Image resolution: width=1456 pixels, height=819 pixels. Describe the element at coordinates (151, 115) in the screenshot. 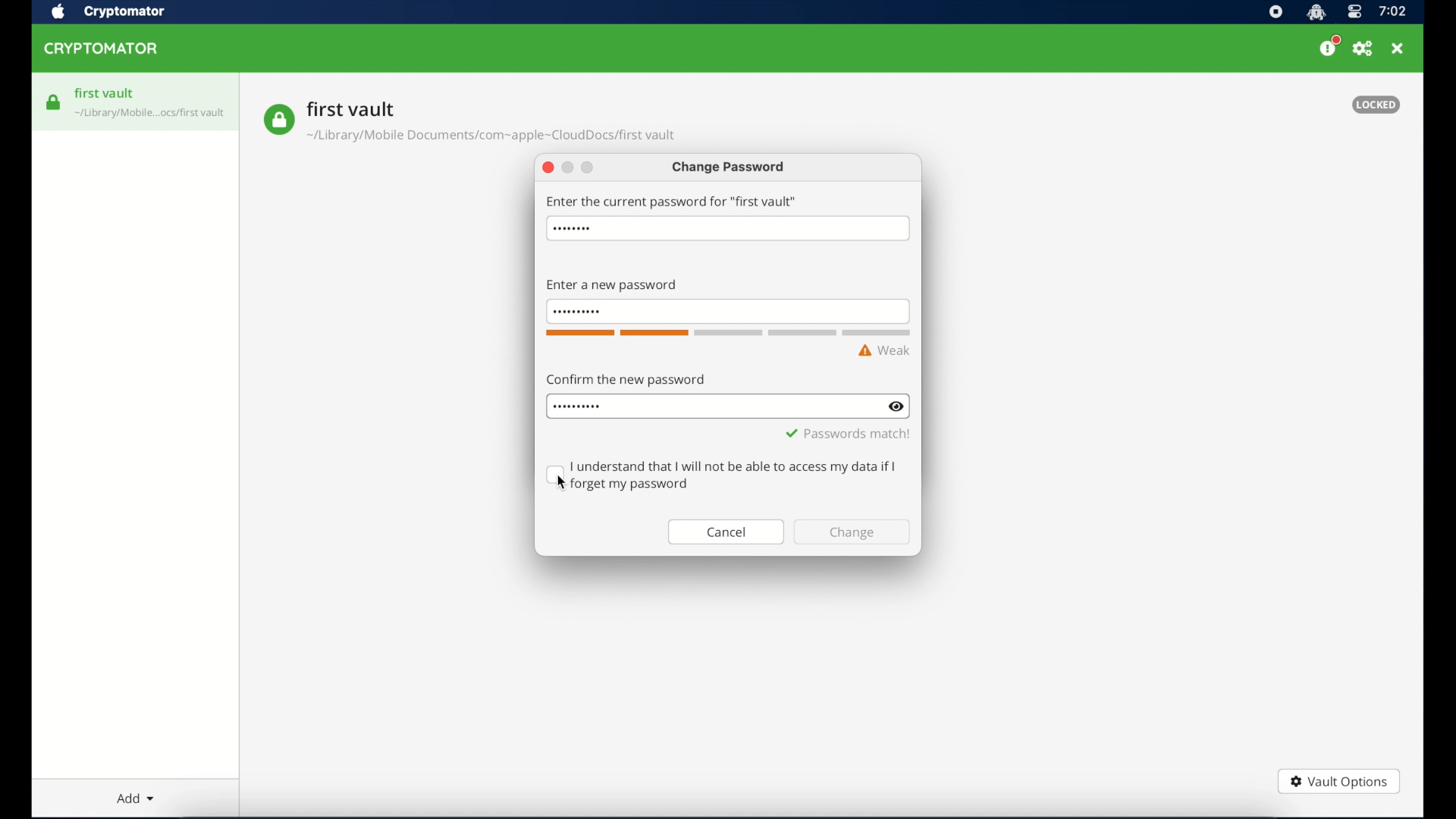

I see `vault icon` at that location.